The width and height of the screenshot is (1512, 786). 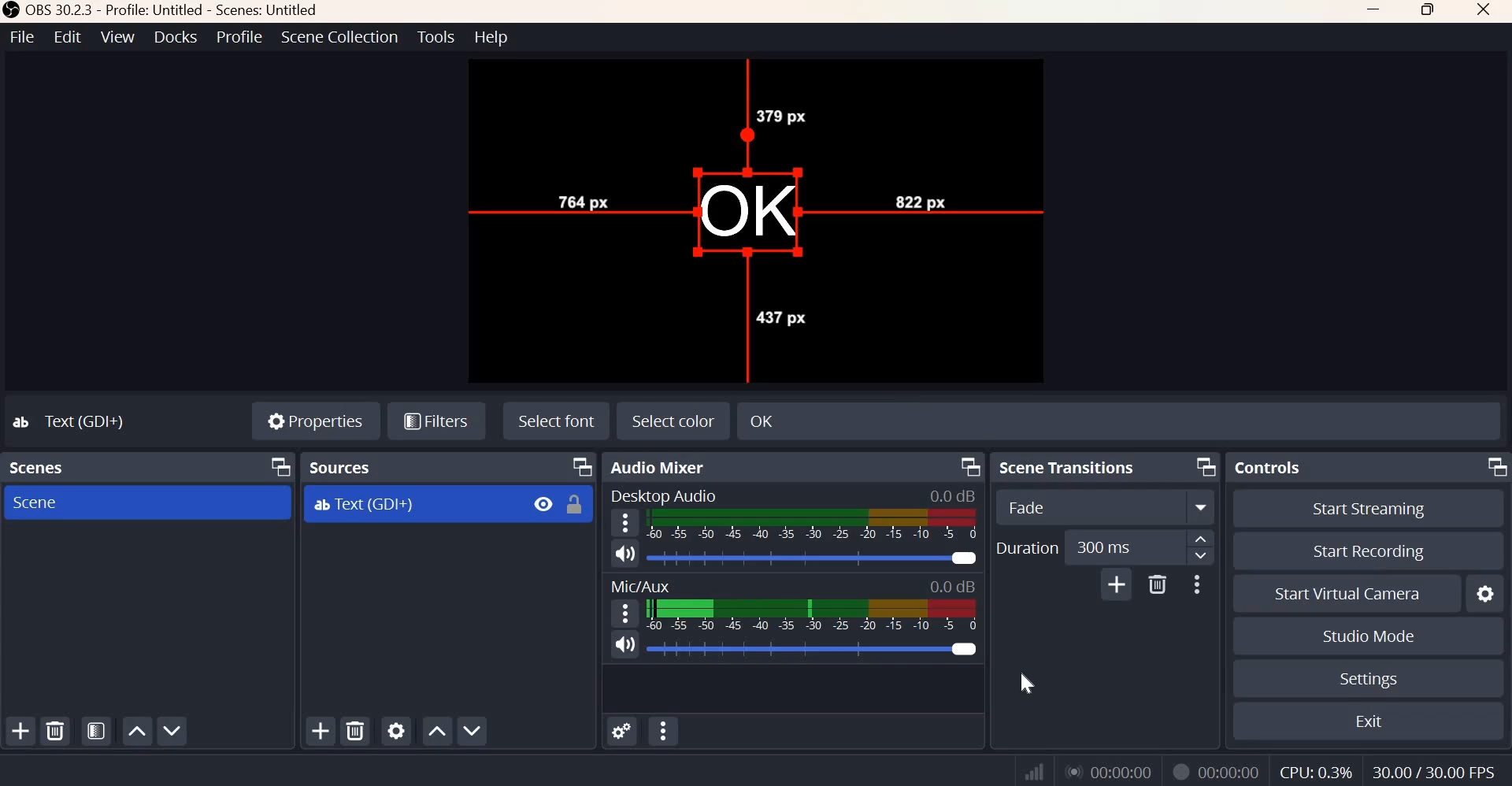 What do you see at coordinates (1106, 506) in the screenshot?
I see `Transition Type Dropdown` at bounding box center [1106, 506].